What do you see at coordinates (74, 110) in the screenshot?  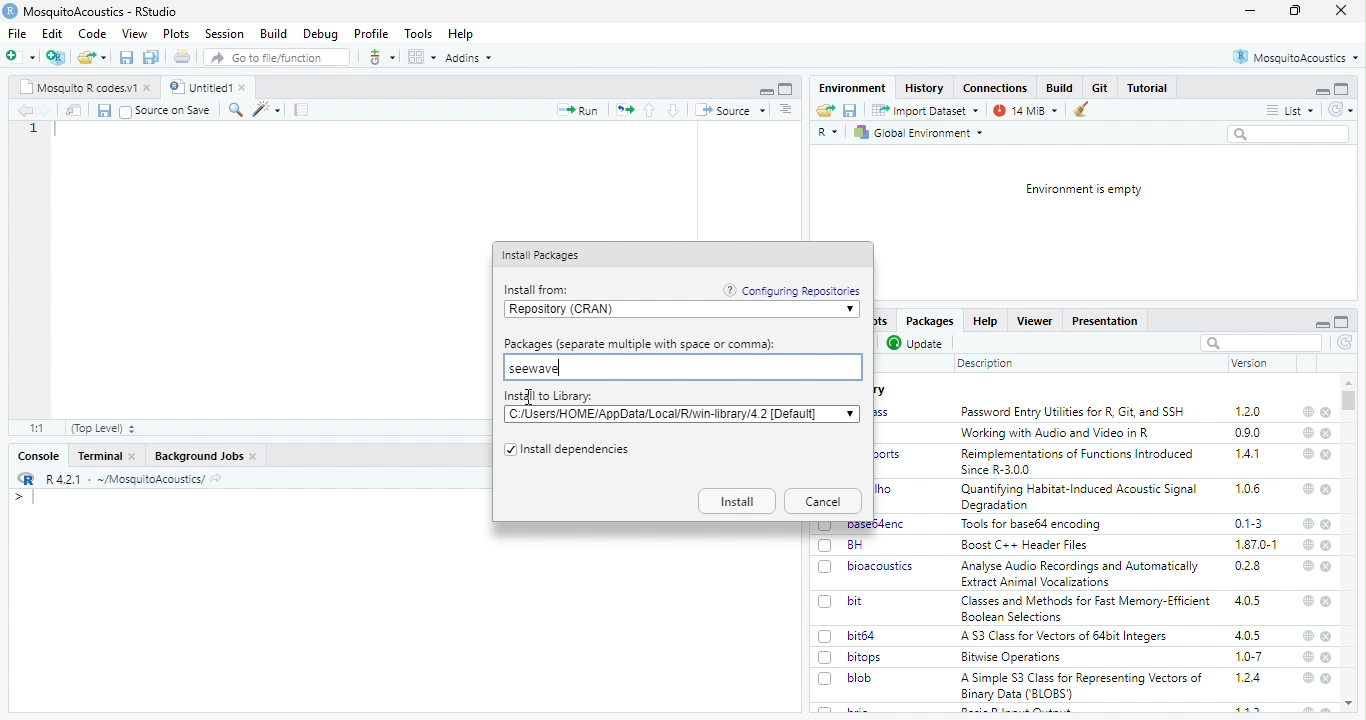 I see `Share ` at bounding box center [74, 110].